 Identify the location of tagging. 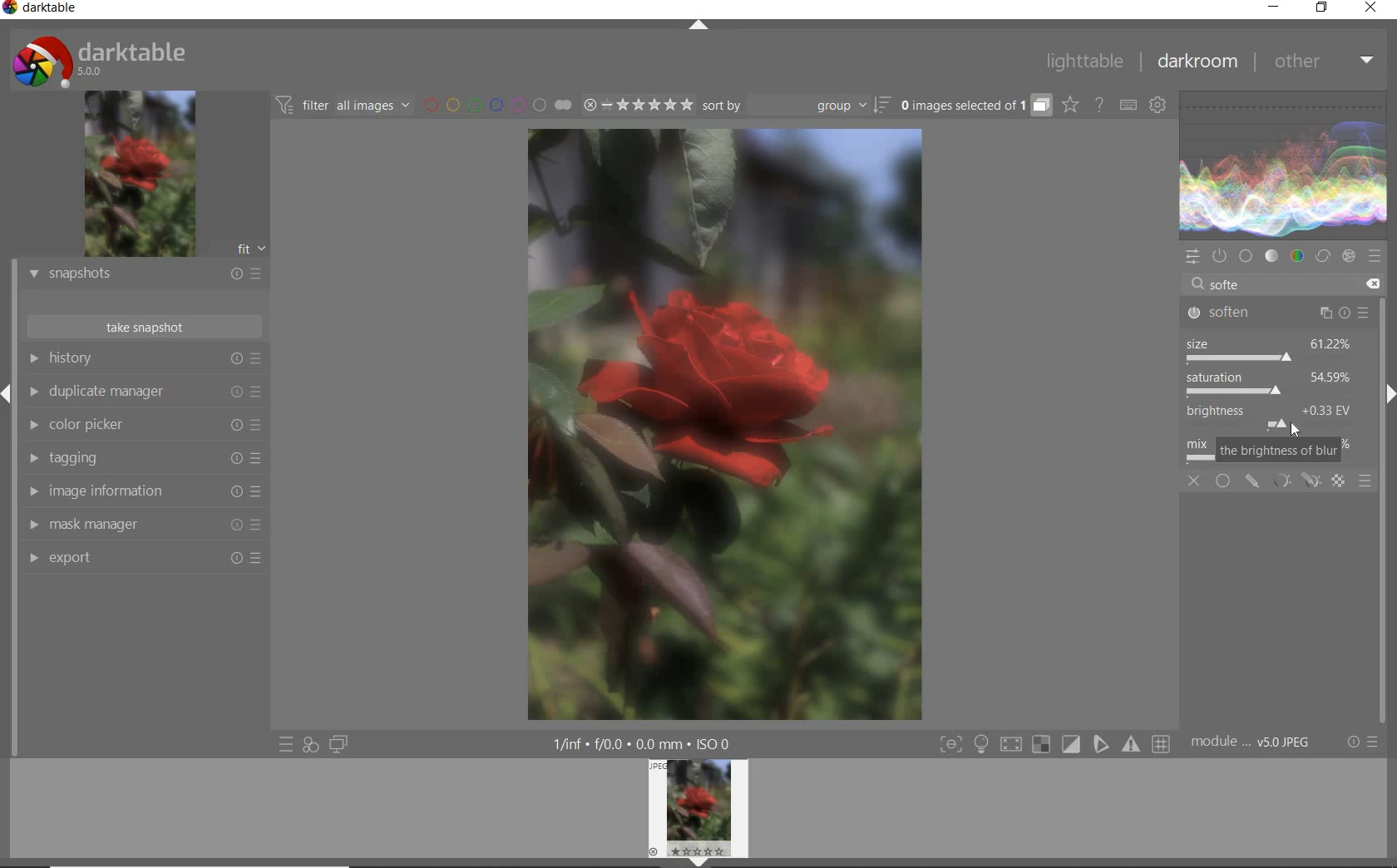
(143, 457).